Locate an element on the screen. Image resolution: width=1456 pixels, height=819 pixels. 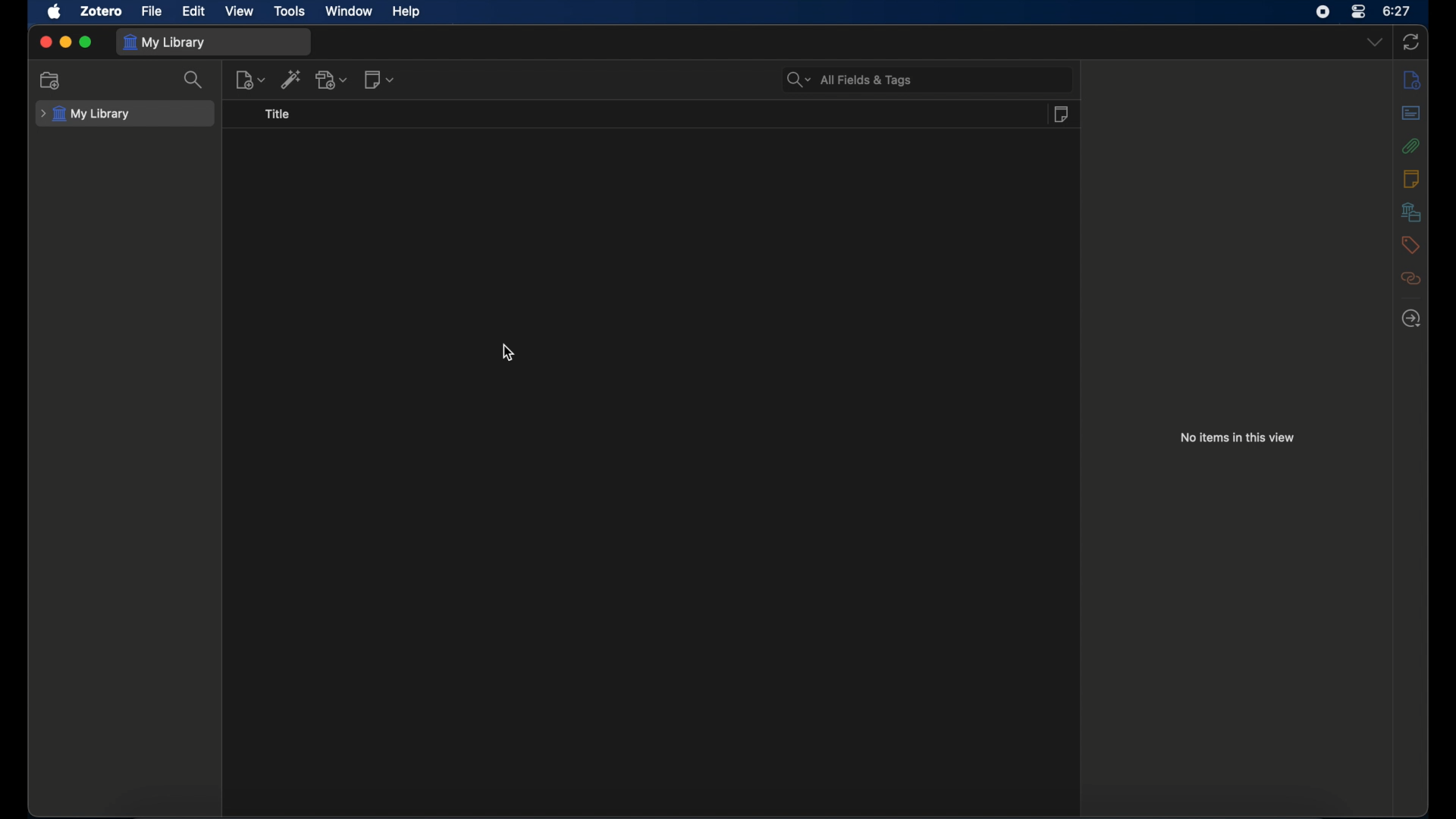
search is located at coordinates (194, 80).